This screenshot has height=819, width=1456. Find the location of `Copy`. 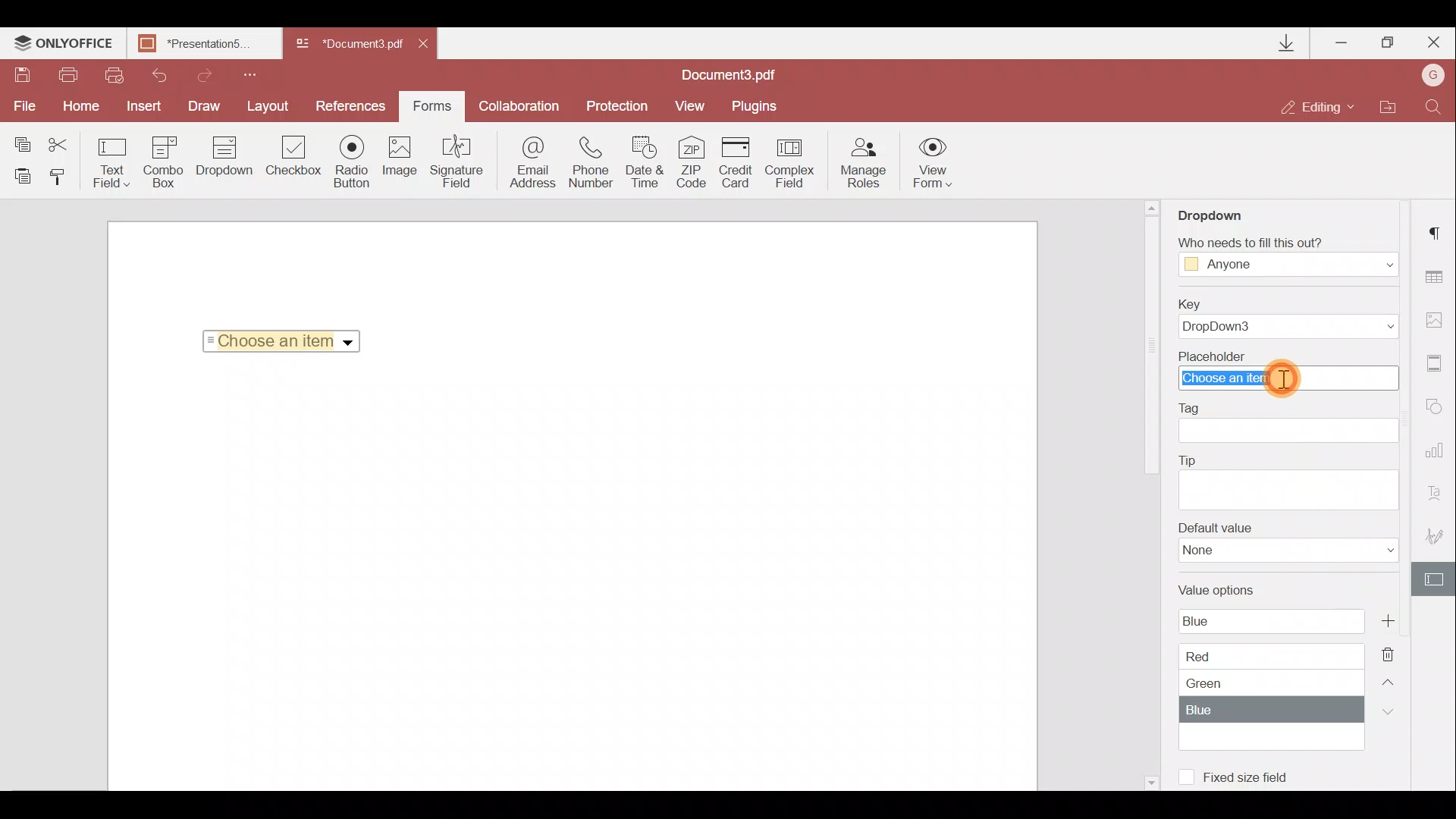

Copy is located at coordinates (18, 139).